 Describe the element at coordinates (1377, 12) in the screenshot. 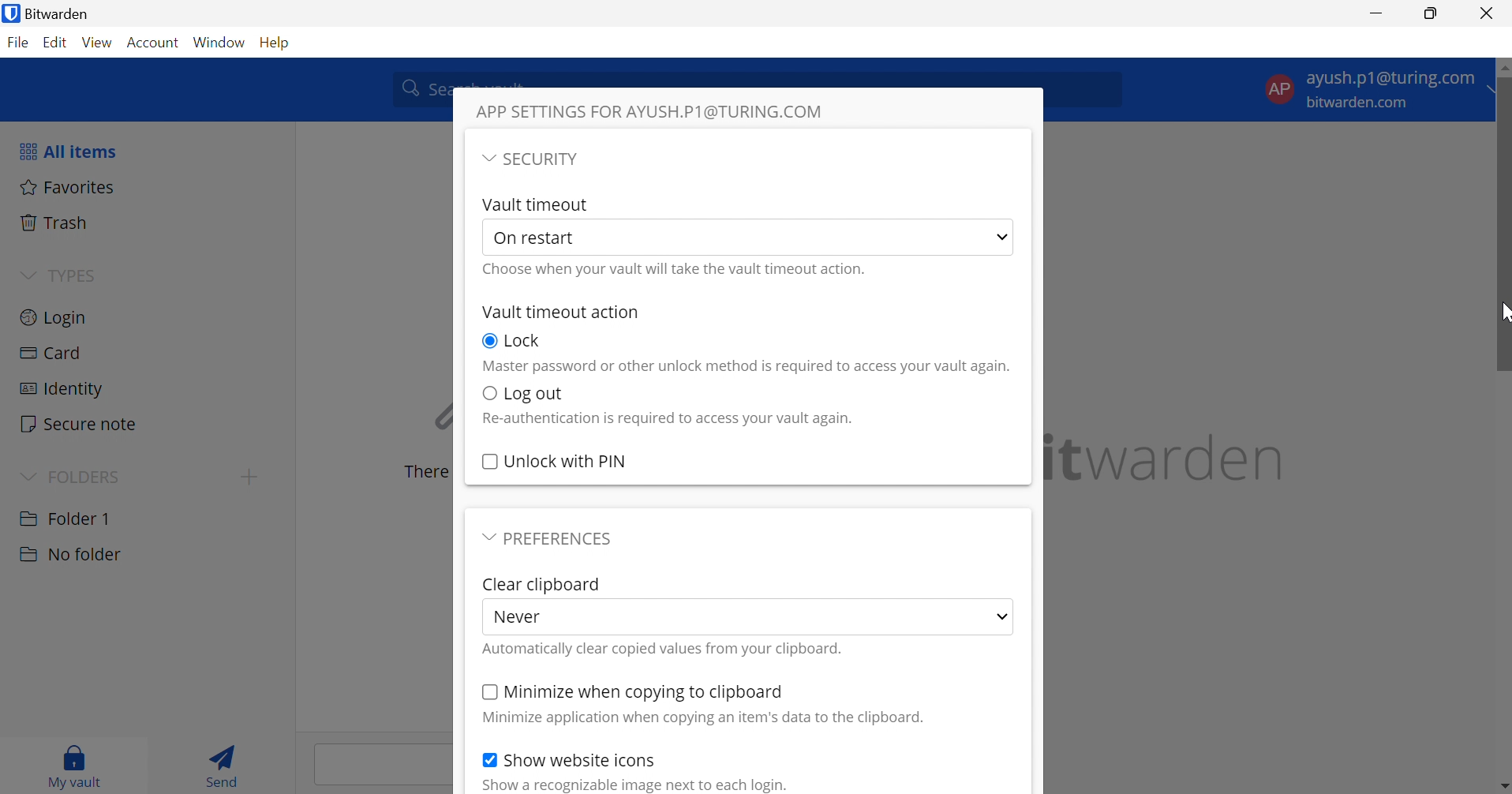

I see `Minimize` at that location.